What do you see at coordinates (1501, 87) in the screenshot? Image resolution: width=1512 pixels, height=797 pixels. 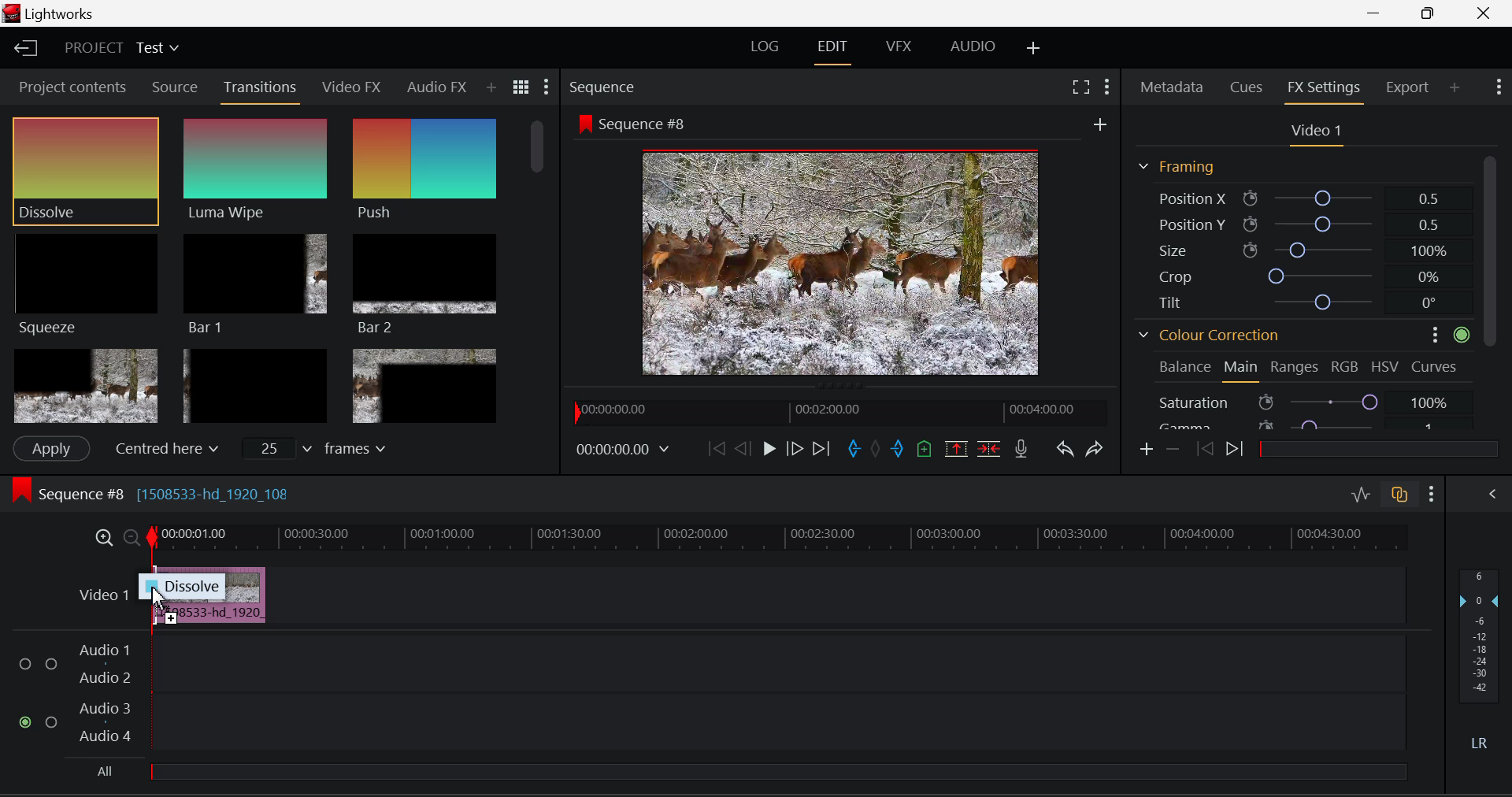 I see `Show Settings` at bounding box center [1501, 87].